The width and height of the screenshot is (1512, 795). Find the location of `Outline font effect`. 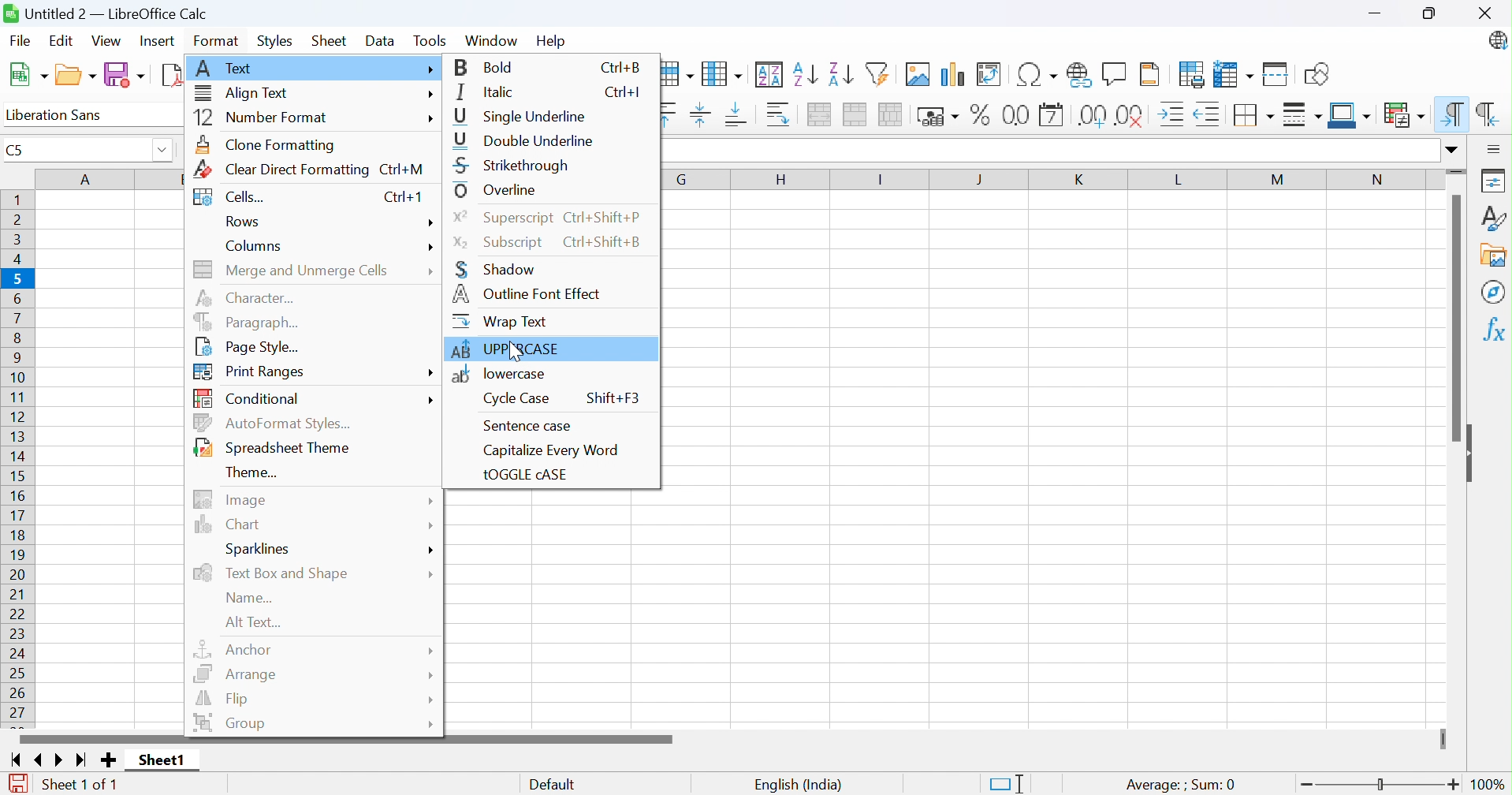

Outline font effect is located at coordinates (529, 293).